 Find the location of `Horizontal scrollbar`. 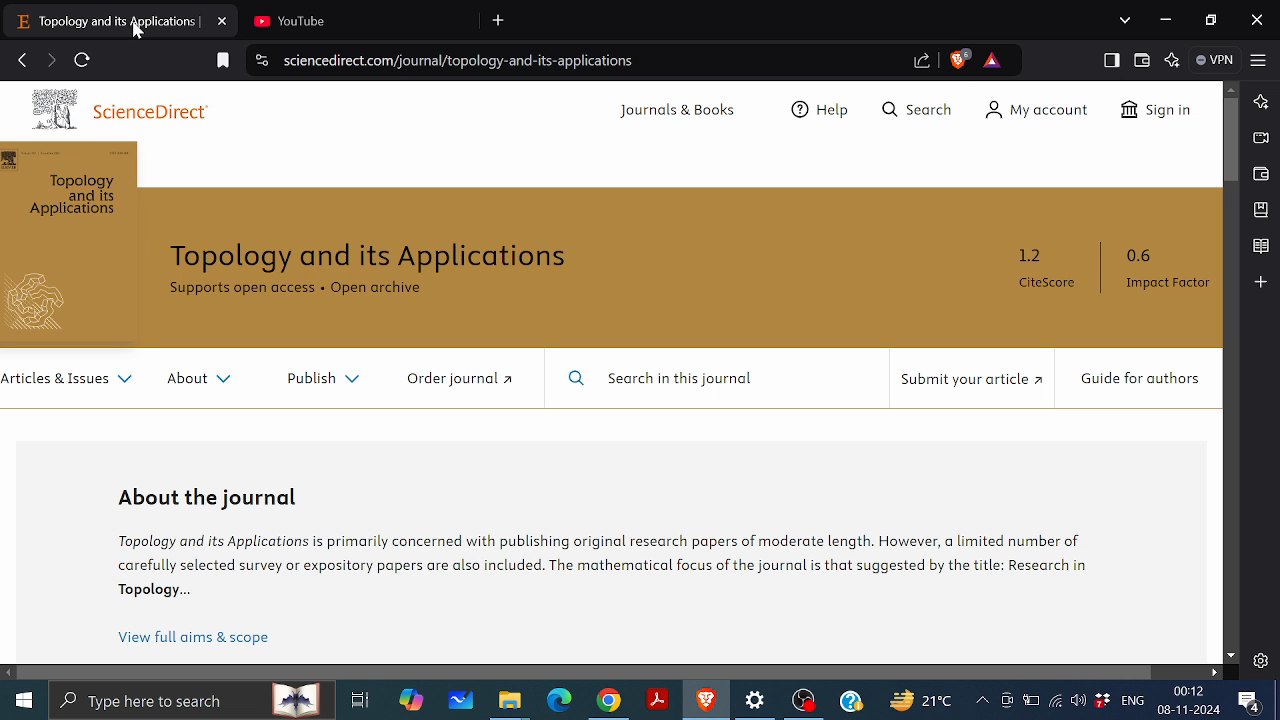

Horizontal scrollbar is located at coordinates (586, 671).